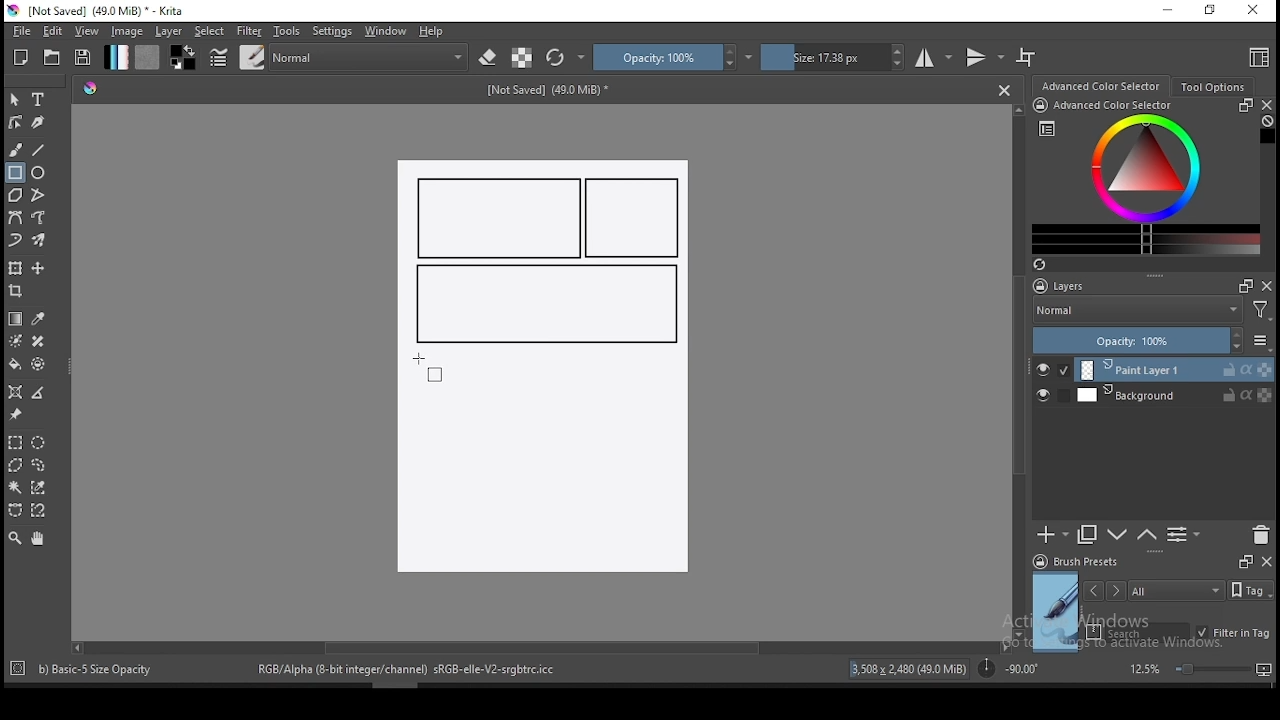  Describe the element at coordinates (147, 57) in the screenshot. I see `pattern` at that location.